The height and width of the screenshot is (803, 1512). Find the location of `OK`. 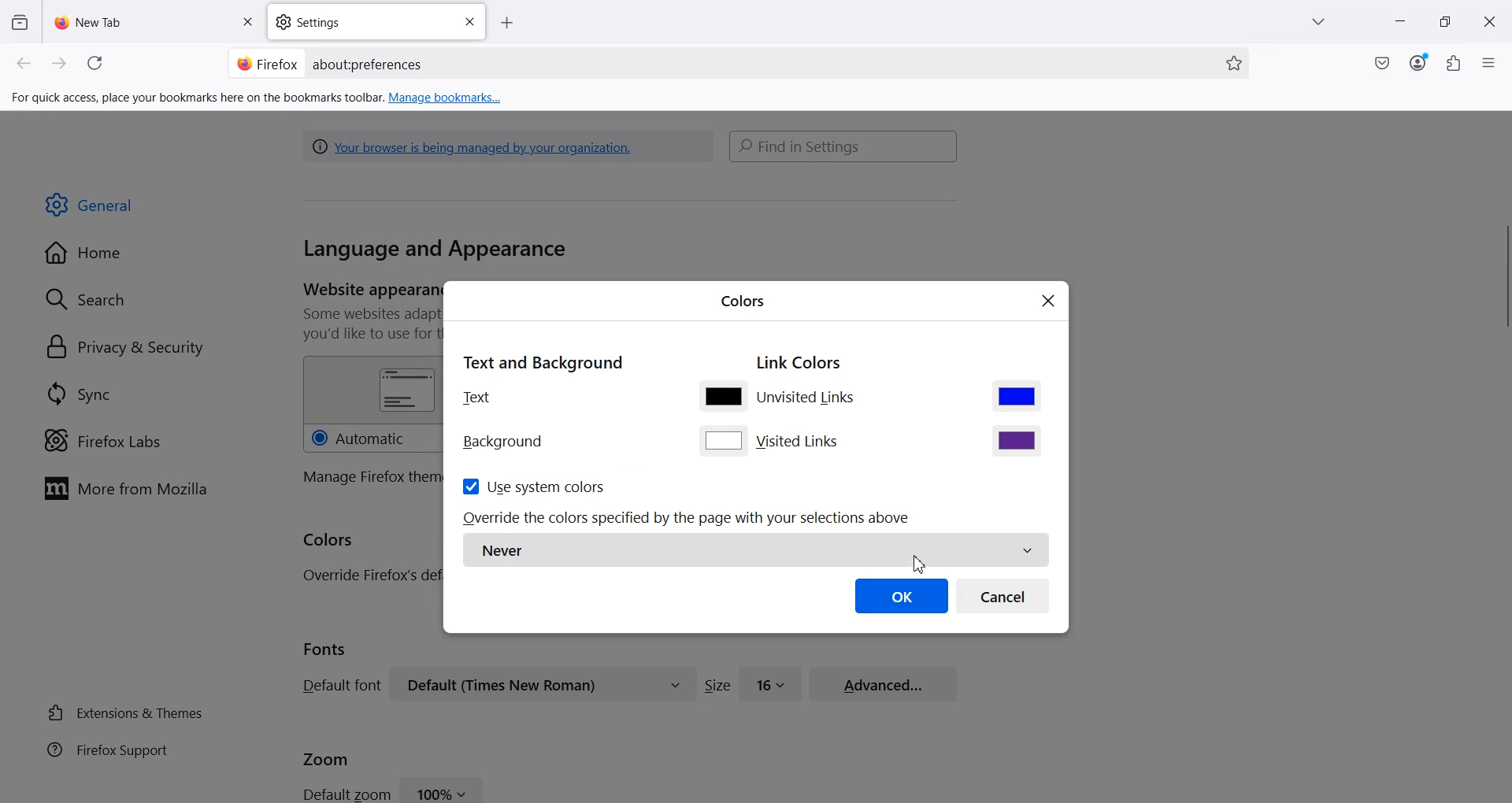

OK is located at coordinates (902, 595).